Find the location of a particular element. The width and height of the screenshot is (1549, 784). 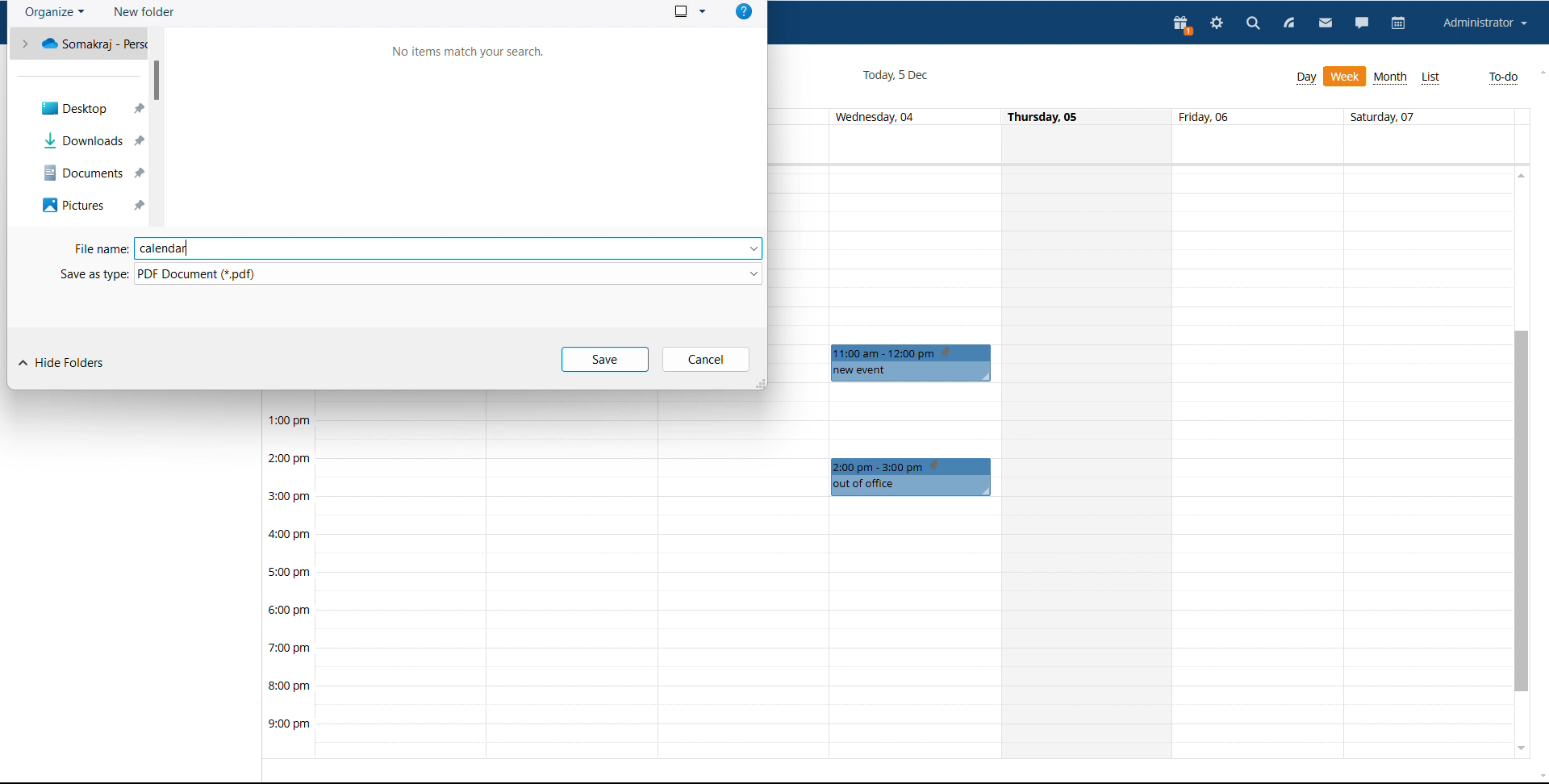

mail is located at coordinates (1324, 25).